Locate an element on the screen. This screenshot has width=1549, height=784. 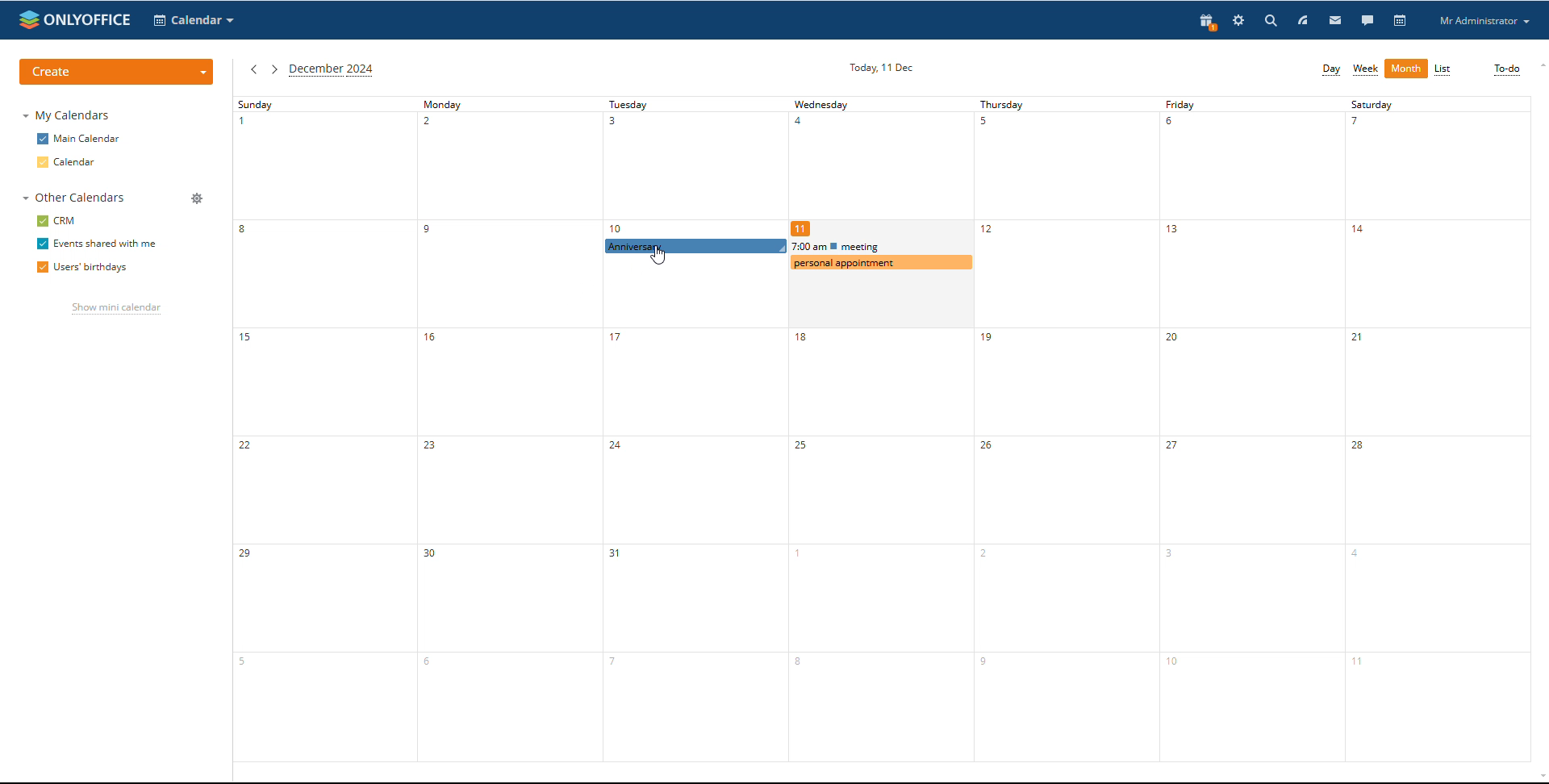
create is located at coordinates (116, 72).